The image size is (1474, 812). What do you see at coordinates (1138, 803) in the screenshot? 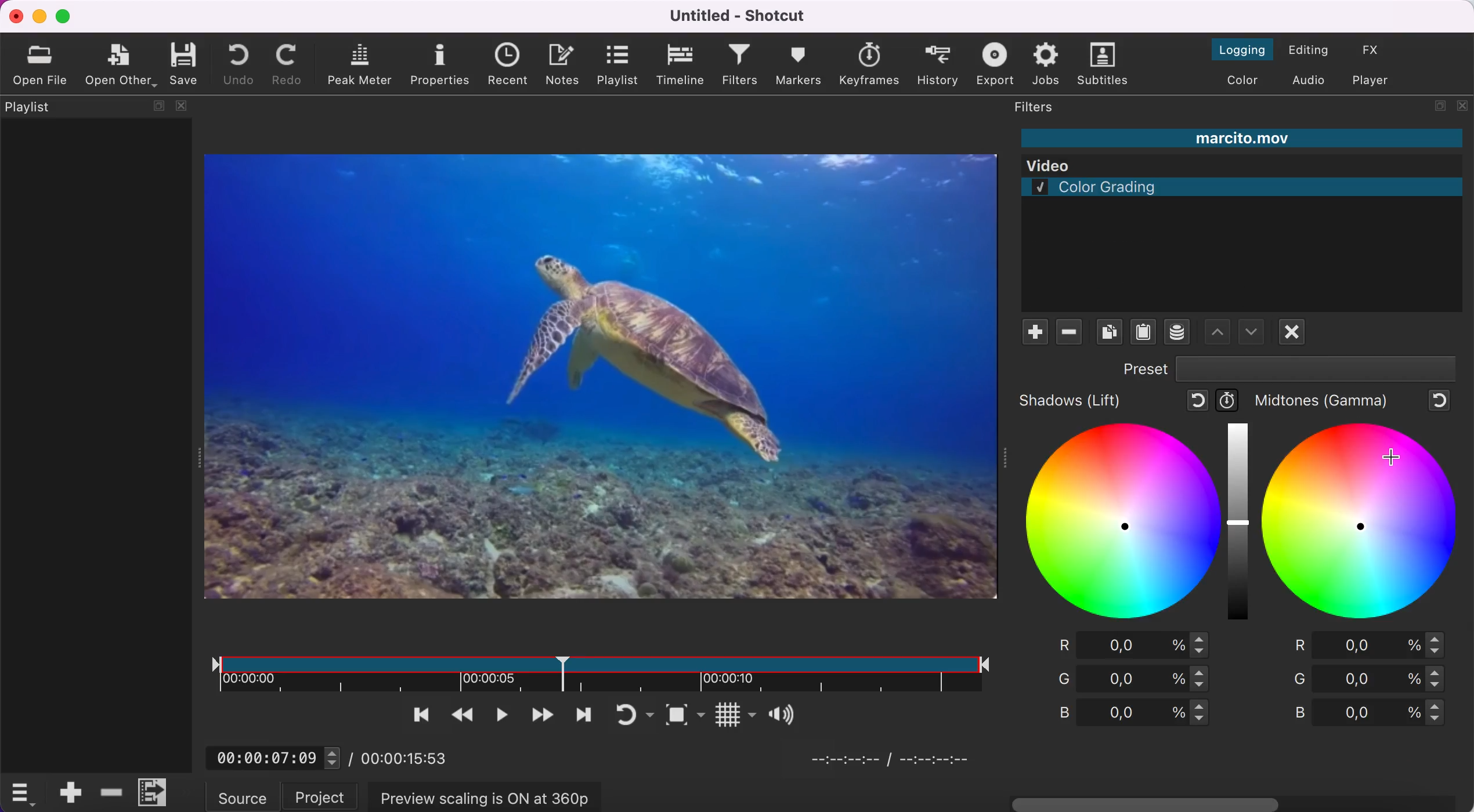
I see `horizontal scroll bar` at bounding box center [1138, 803].